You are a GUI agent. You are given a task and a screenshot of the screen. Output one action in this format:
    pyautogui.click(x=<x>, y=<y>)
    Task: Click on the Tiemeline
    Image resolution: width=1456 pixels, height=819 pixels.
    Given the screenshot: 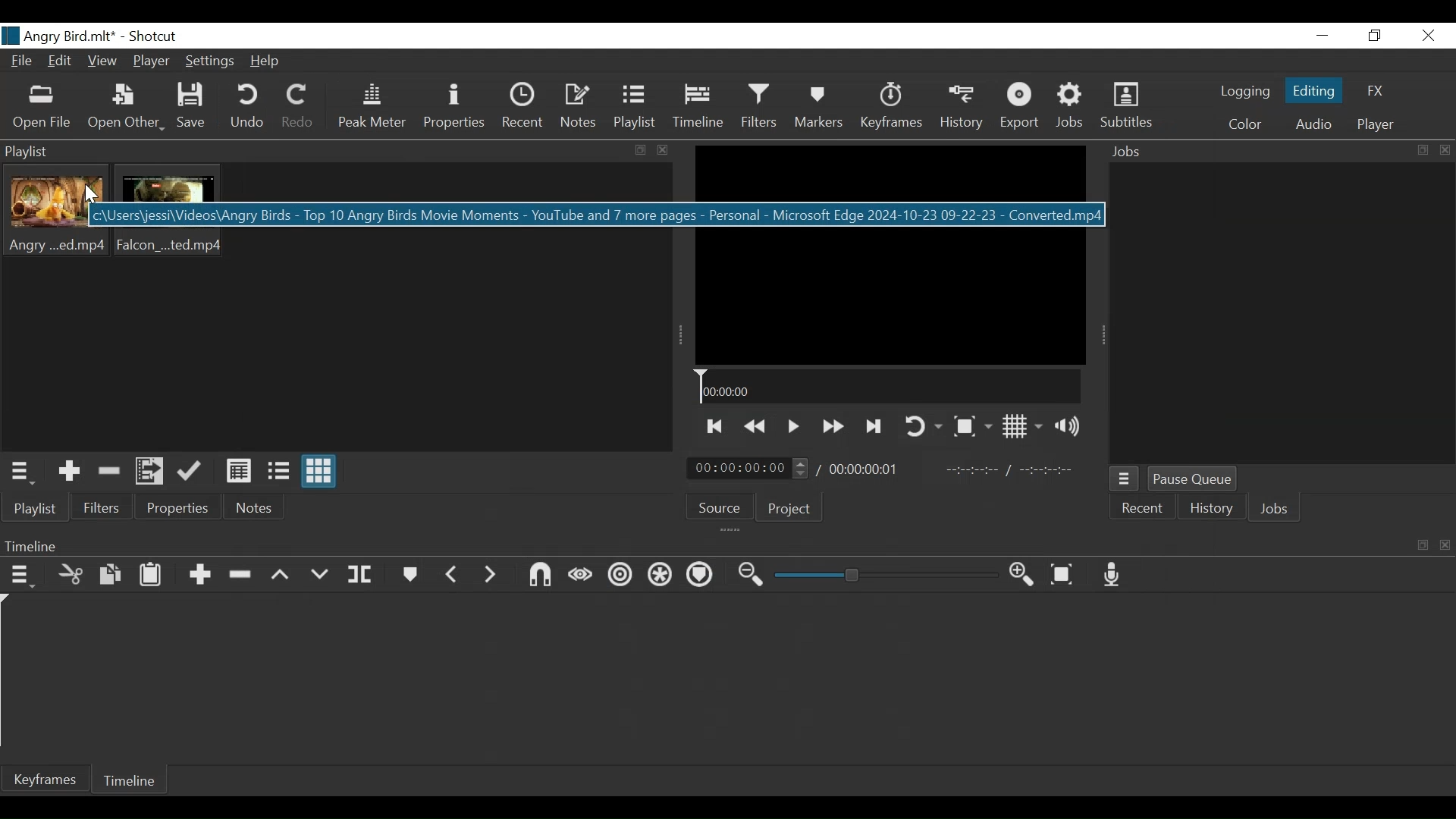 What is the action you would take?
    pyautogui.click(x=701, y=108)
    